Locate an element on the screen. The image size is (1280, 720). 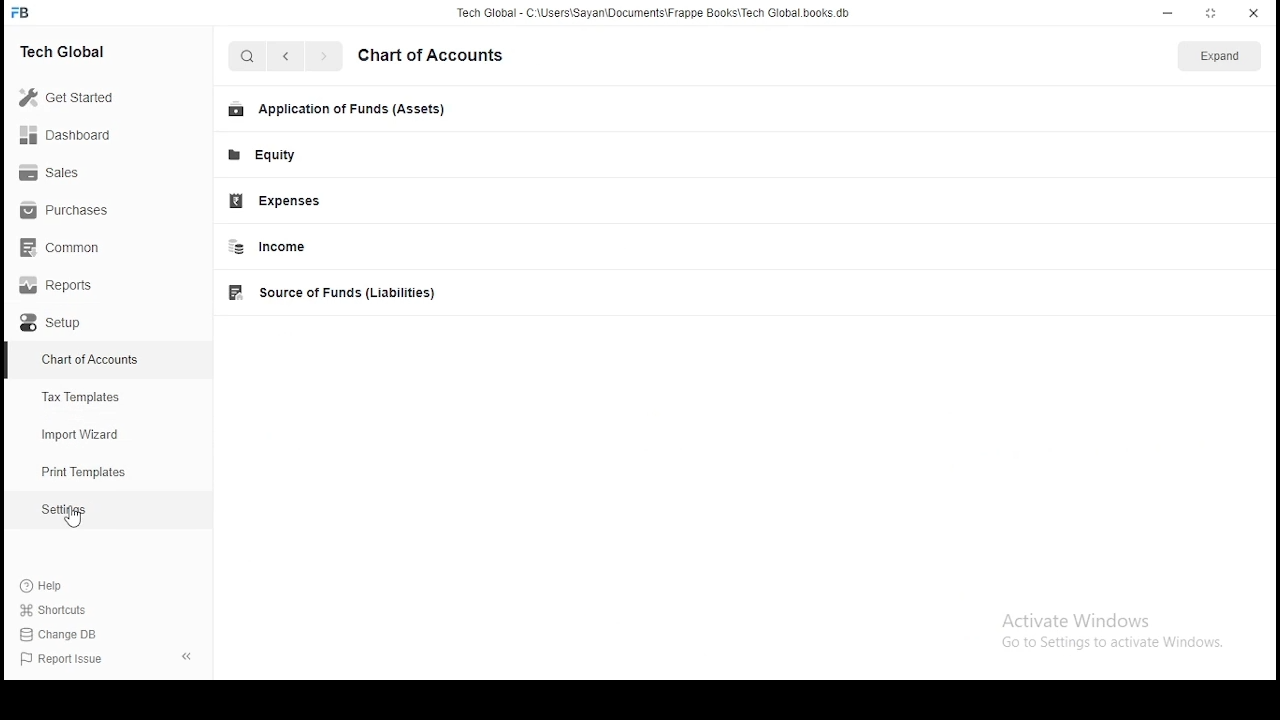
print templates  is located at coordinates (87, 472).